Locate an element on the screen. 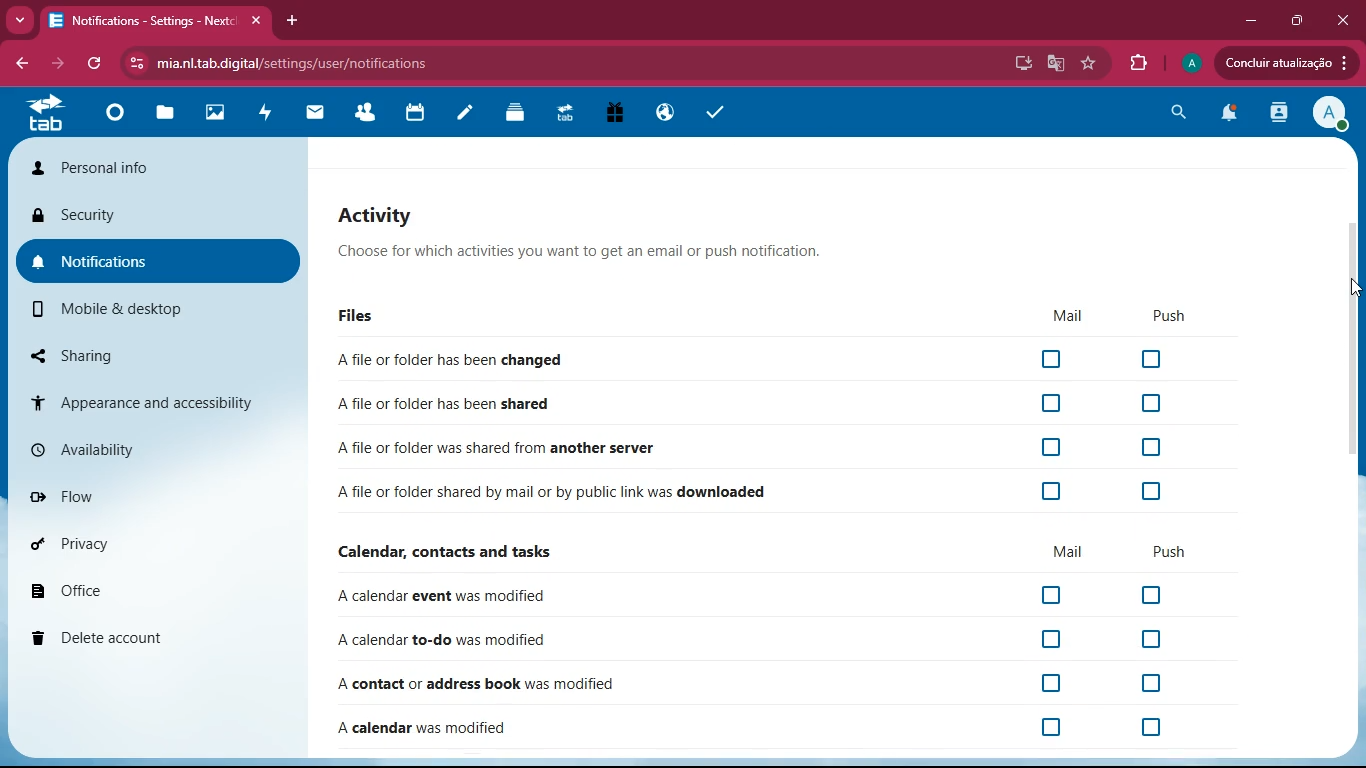 The width and height of the screenshot is (1366, 768). off is located at coordinates (1132, 684).